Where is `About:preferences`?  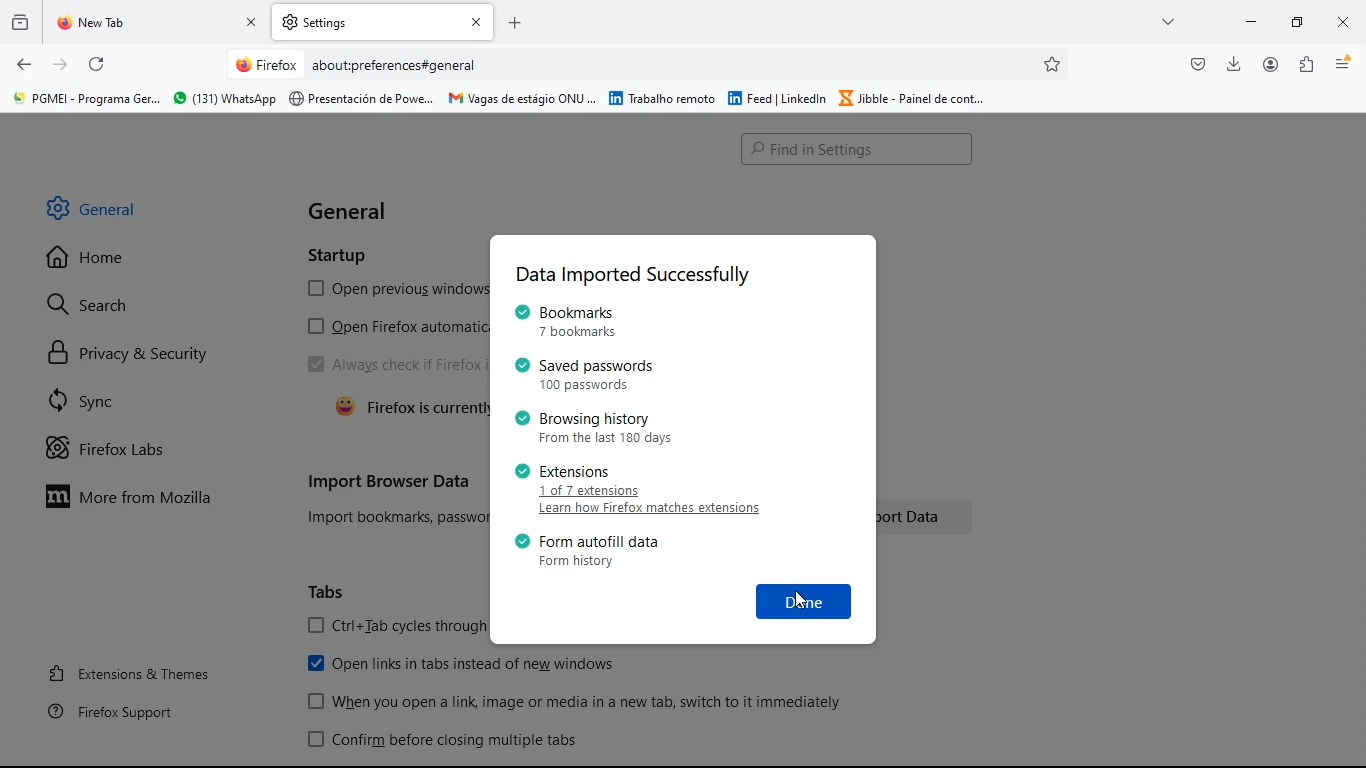 About:preferences is located at coordinates (366, 65).